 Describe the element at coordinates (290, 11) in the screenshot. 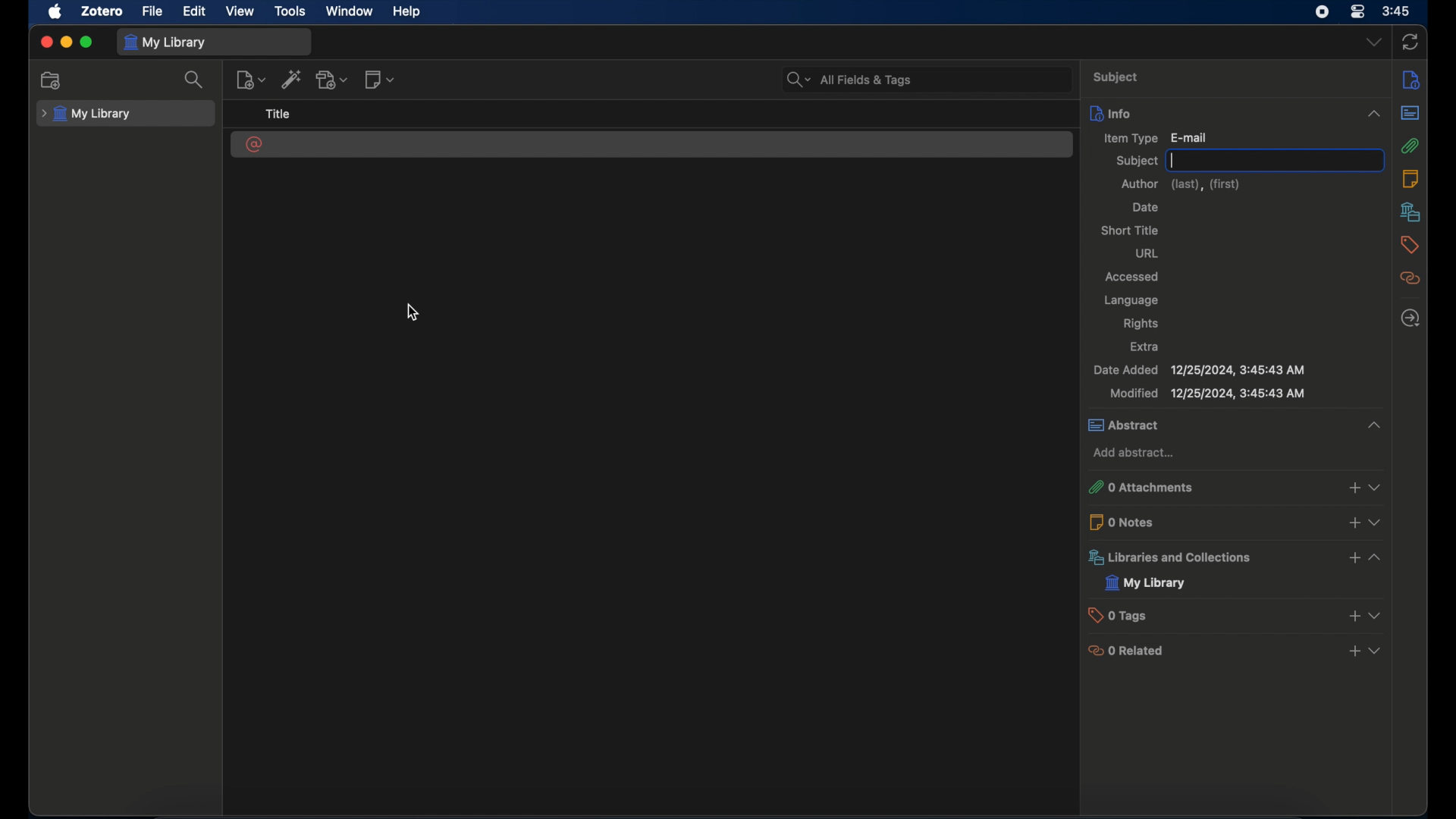

I see `tools` at that location.